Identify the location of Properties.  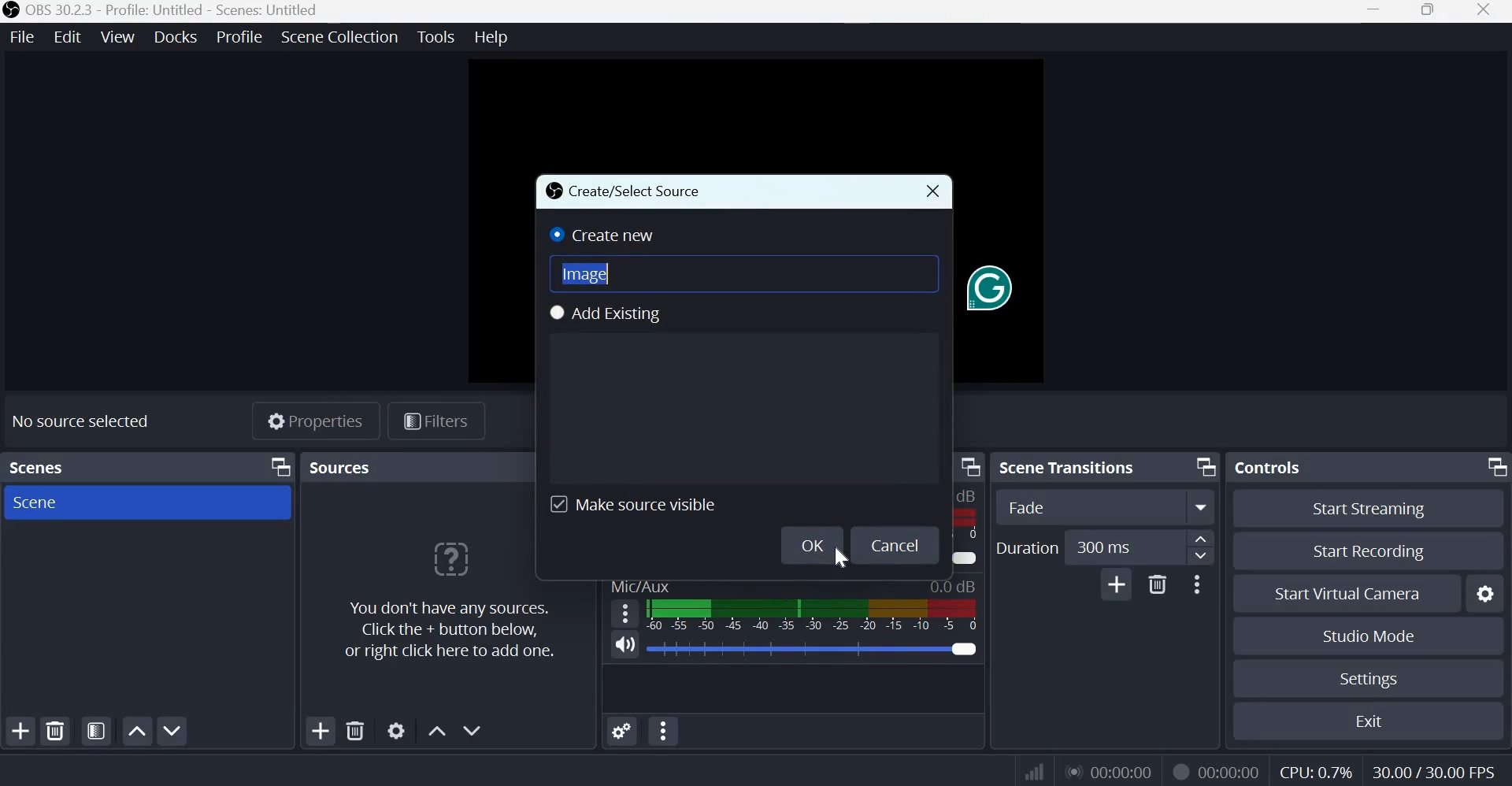
(313, 421).